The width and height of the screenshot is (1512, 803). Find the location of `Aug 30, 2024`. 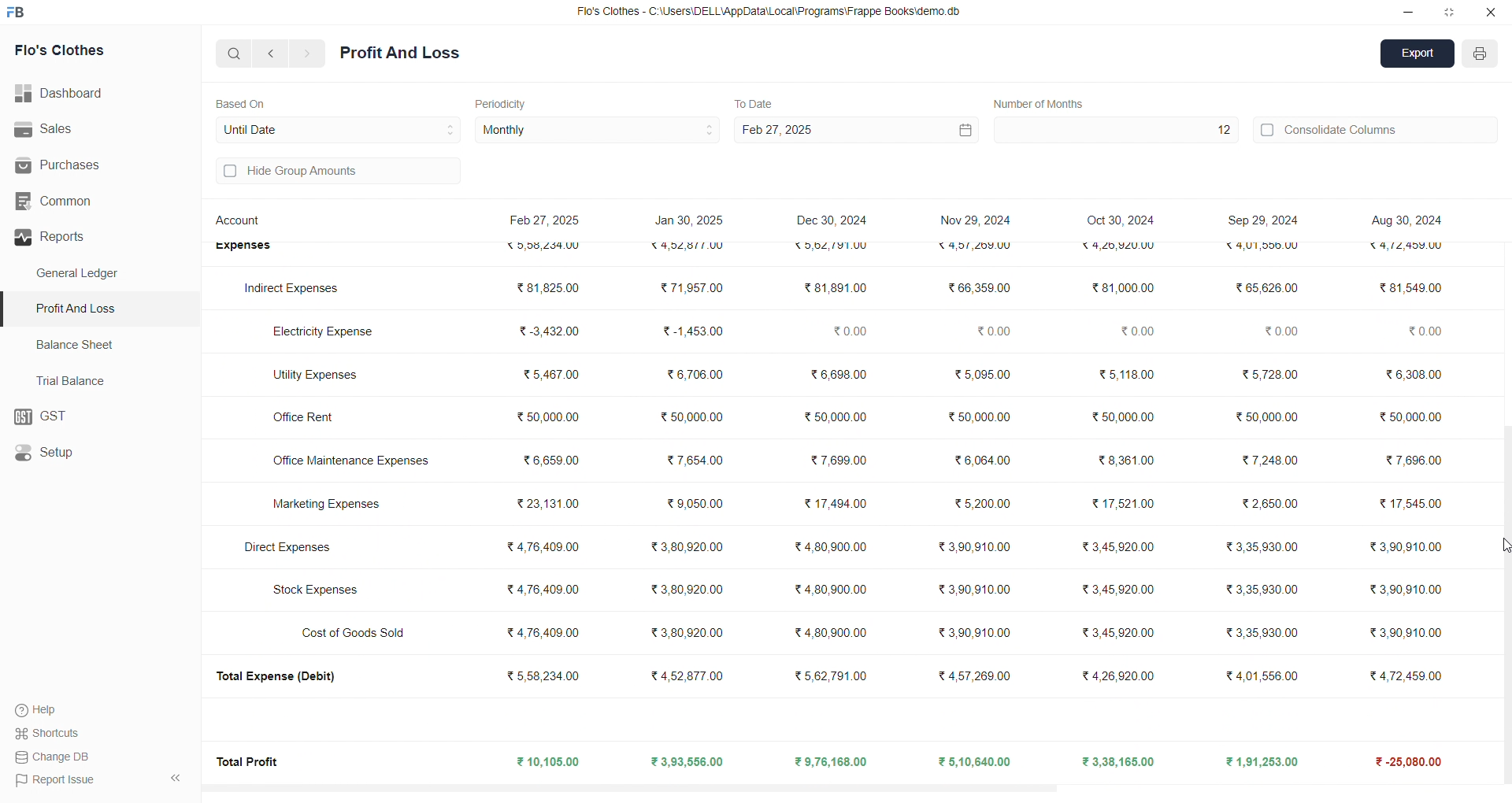

Aug 30, 2024 is located at coordinates (1404, 220).